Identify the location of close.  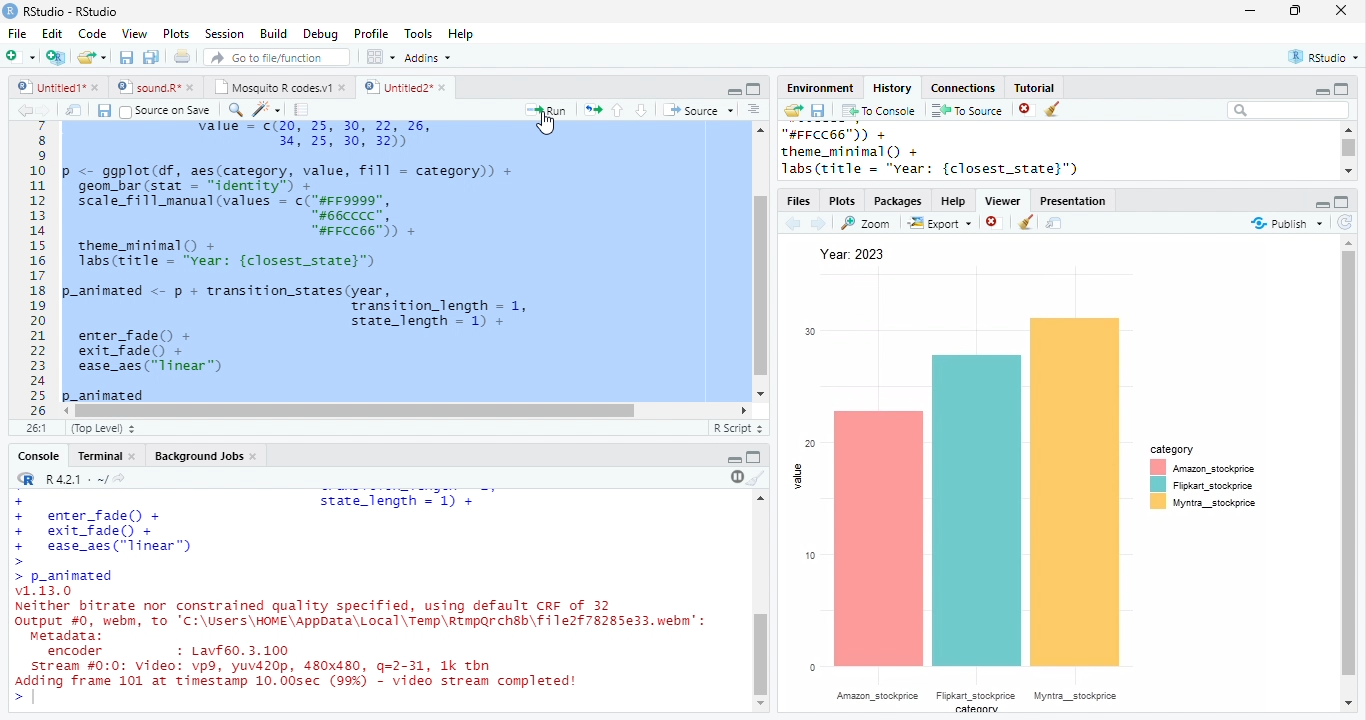
(443, 87).